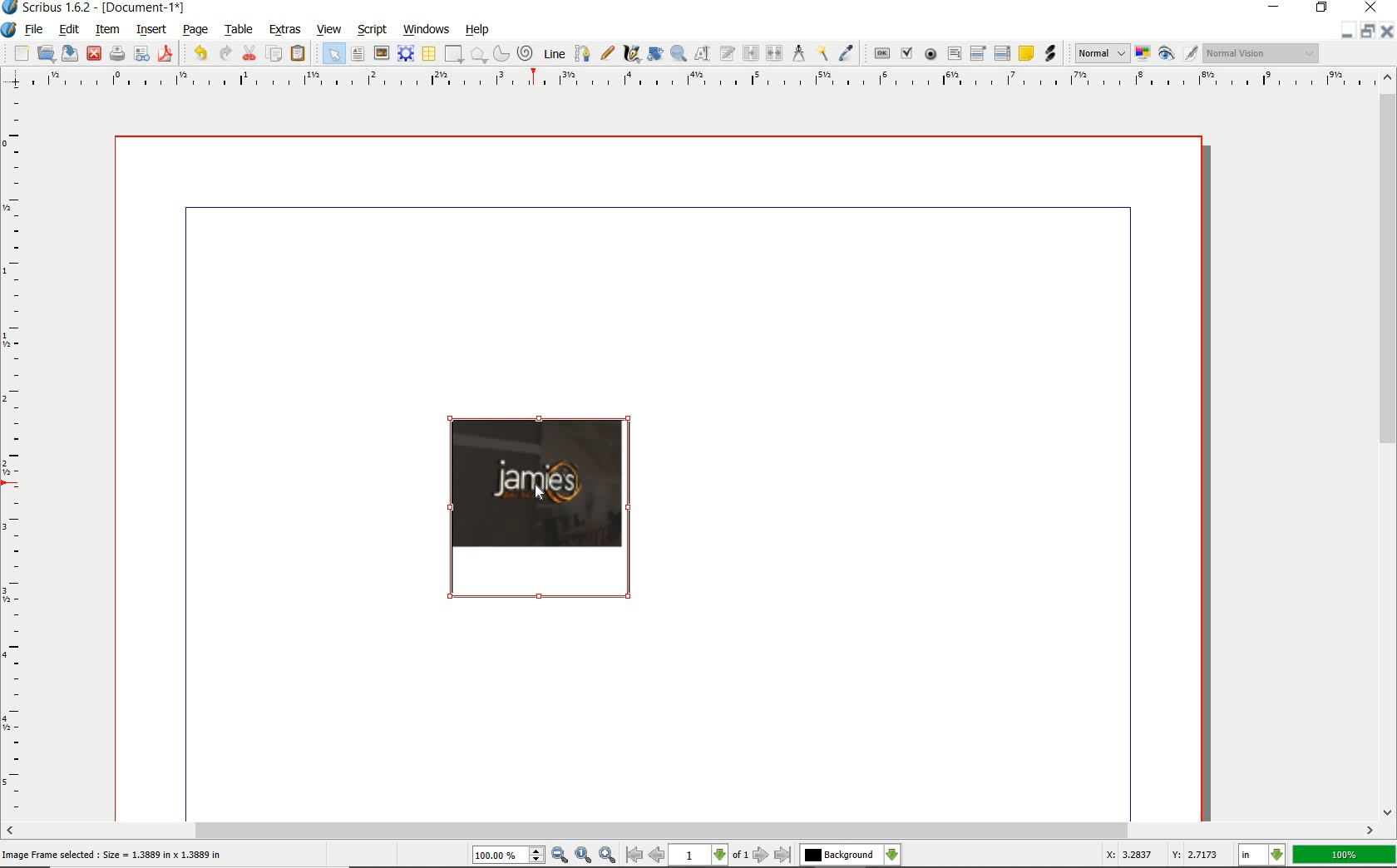  I want to click on coordinates, so click(1160, 857).